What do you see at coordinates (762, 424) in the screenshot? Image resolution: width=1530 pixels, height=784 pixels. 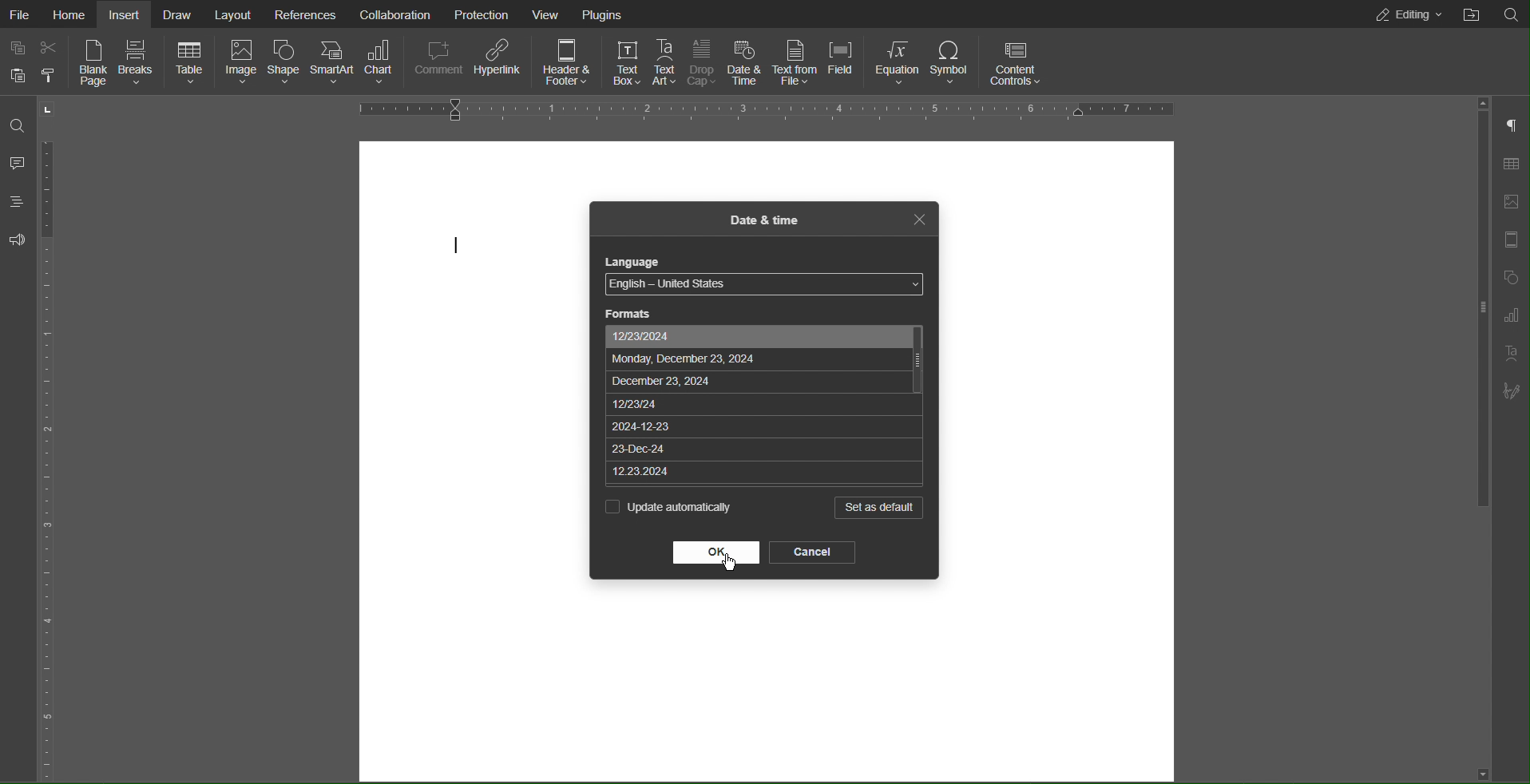 I see `2024-12-23` at bounding box center [762, 424].